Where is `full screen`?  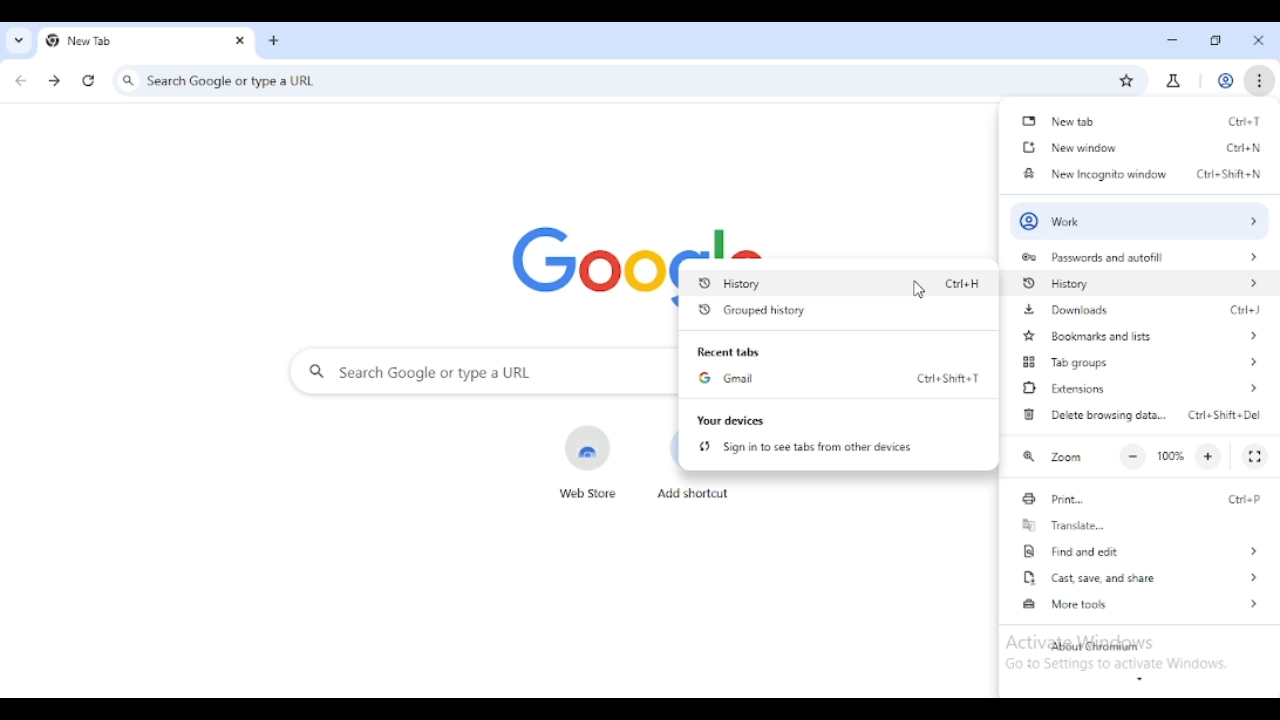 full screen is located at coordinates (1255, 456).